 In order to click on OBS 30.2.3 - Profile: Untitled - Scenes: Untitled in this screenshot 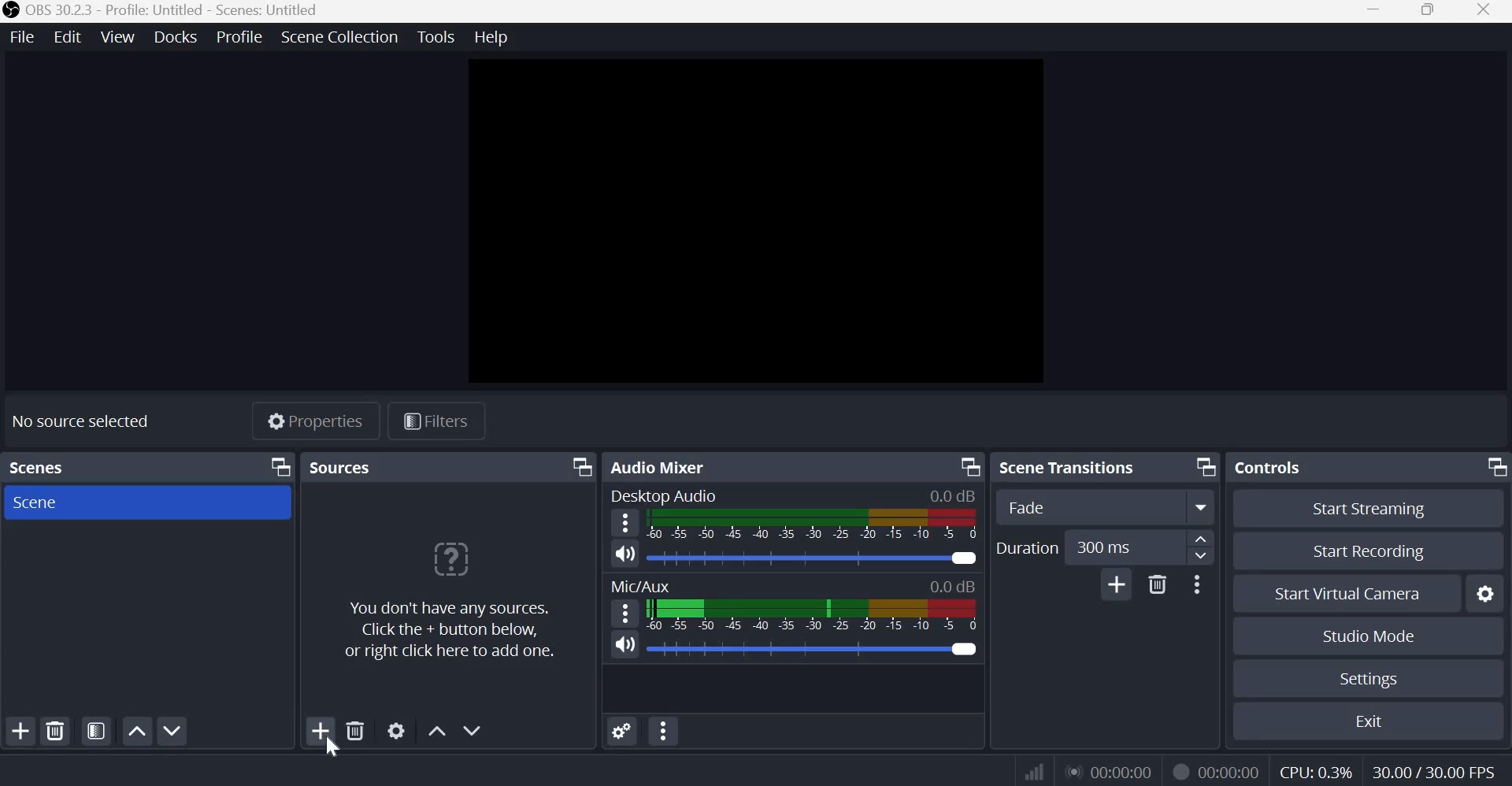, I will do `click(173, 11)`.